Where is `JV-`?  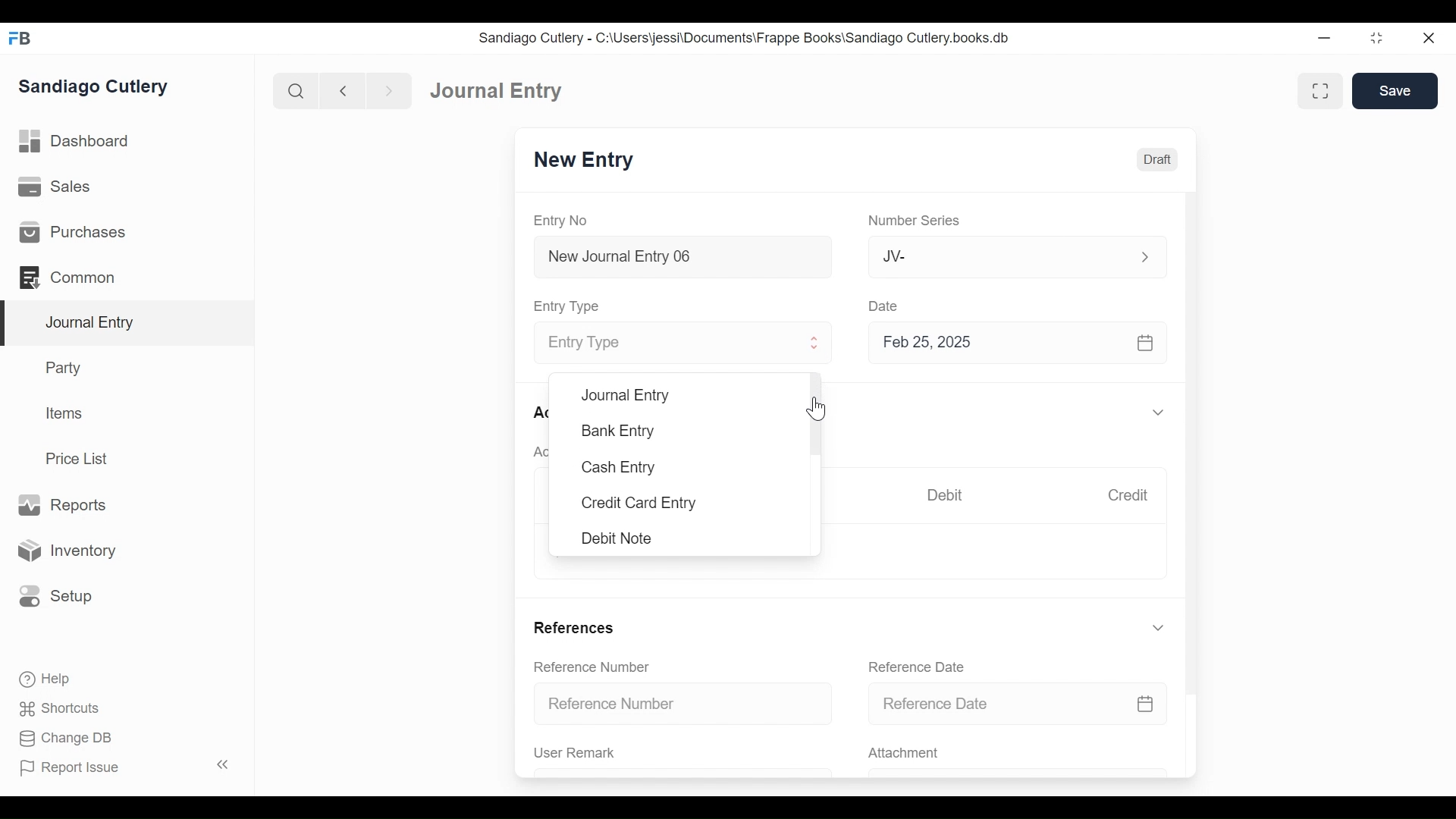
JV- is located at coordinates (999, 255).